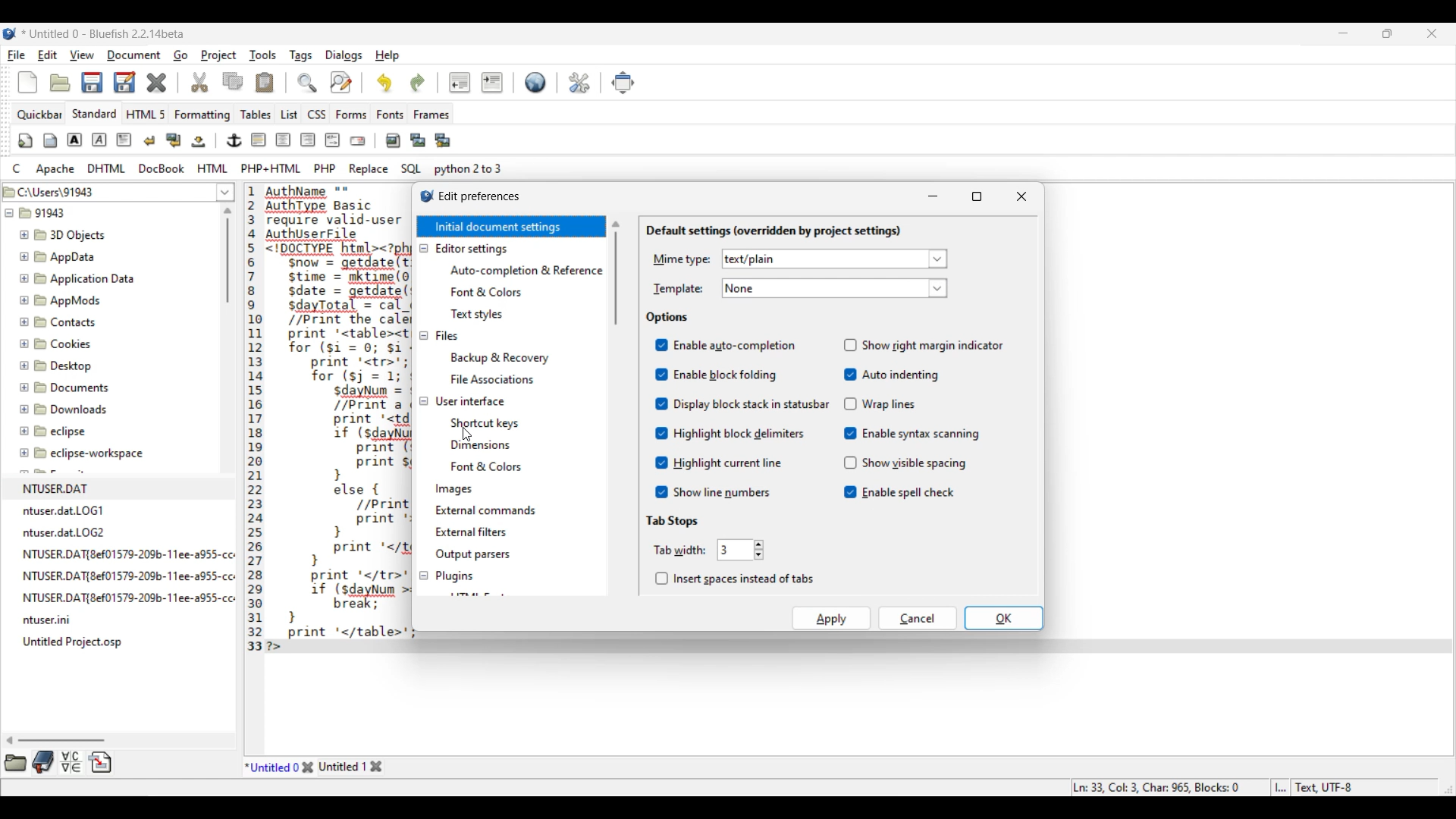  I want to click on Indicates toggle on/off, so click(662, 419).